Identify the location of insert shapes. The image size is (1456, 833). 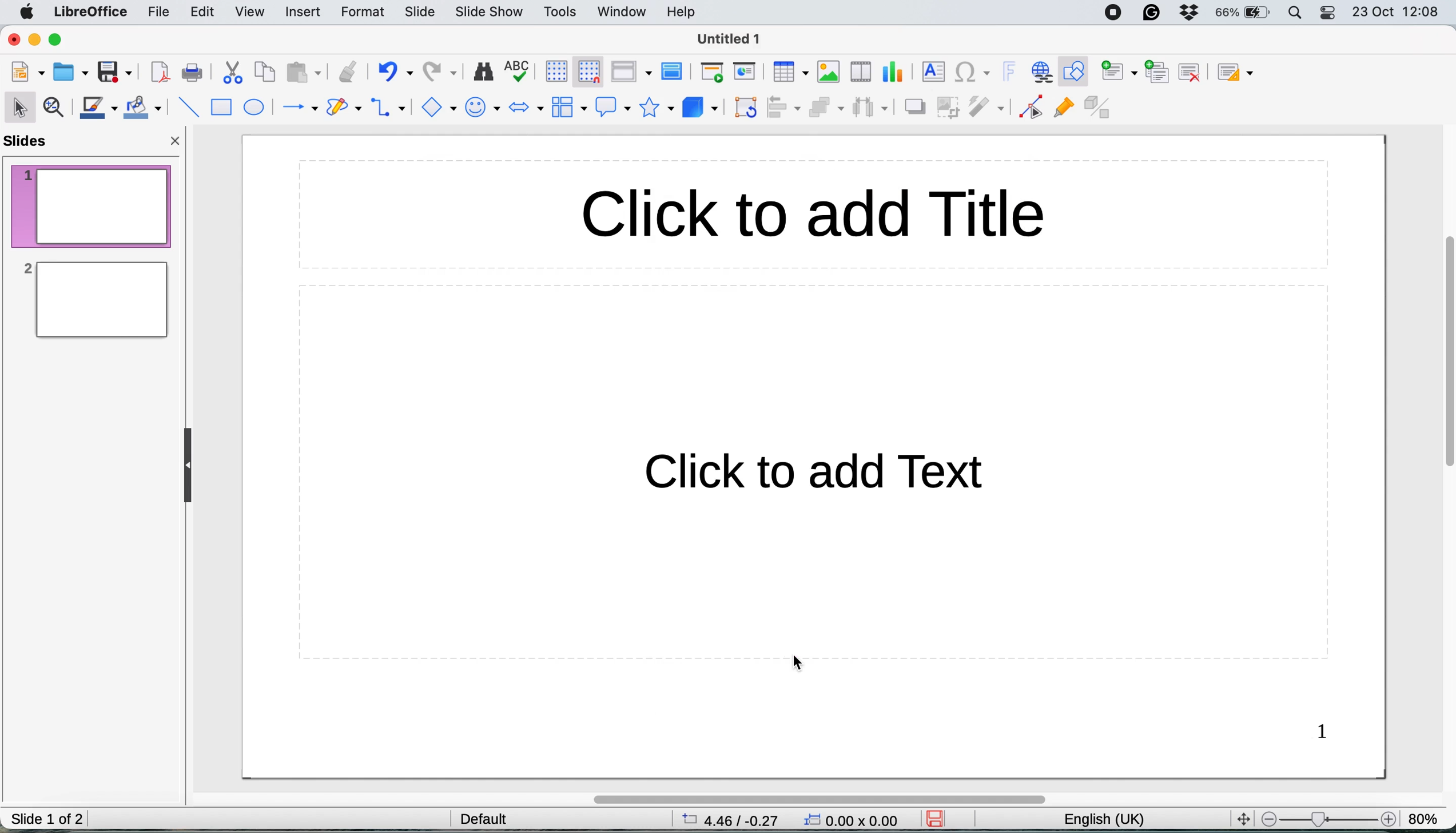
(436, 106).